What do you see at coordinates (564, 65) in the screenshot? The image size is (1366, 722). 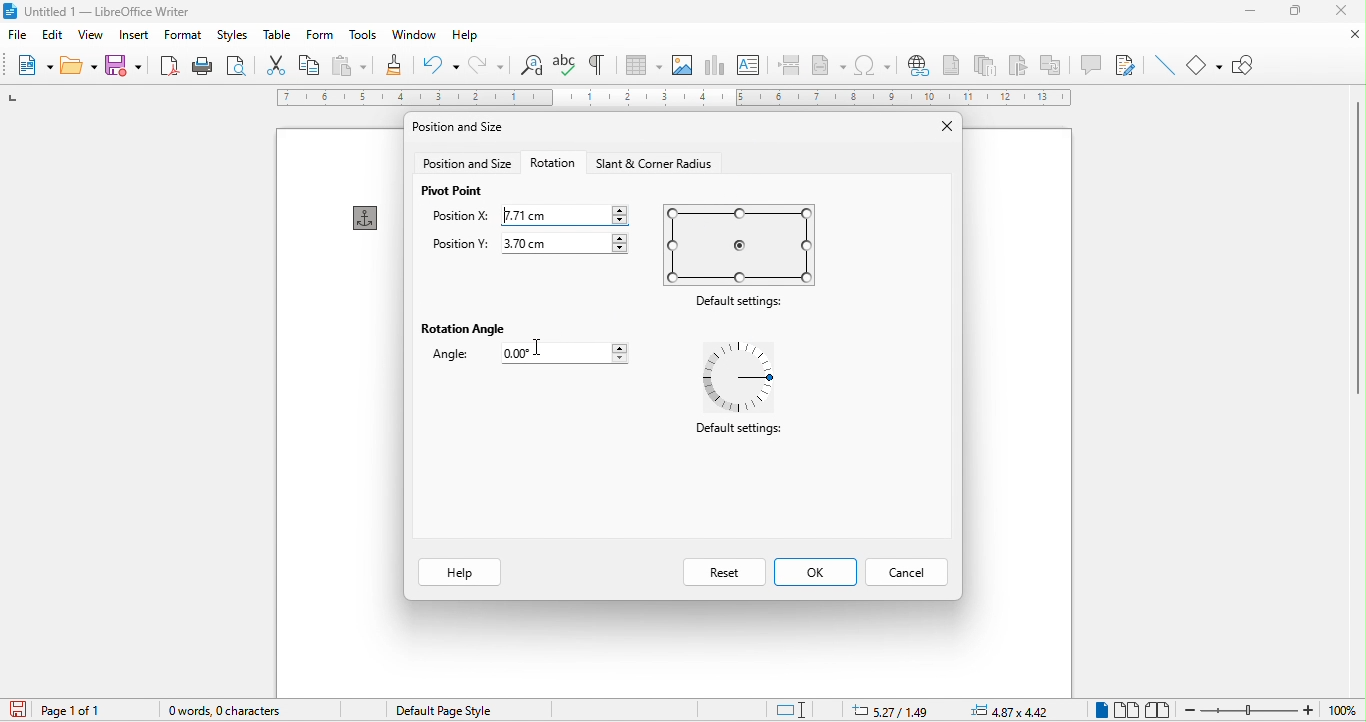 I see `spelling` at bounding box center [564, 65].